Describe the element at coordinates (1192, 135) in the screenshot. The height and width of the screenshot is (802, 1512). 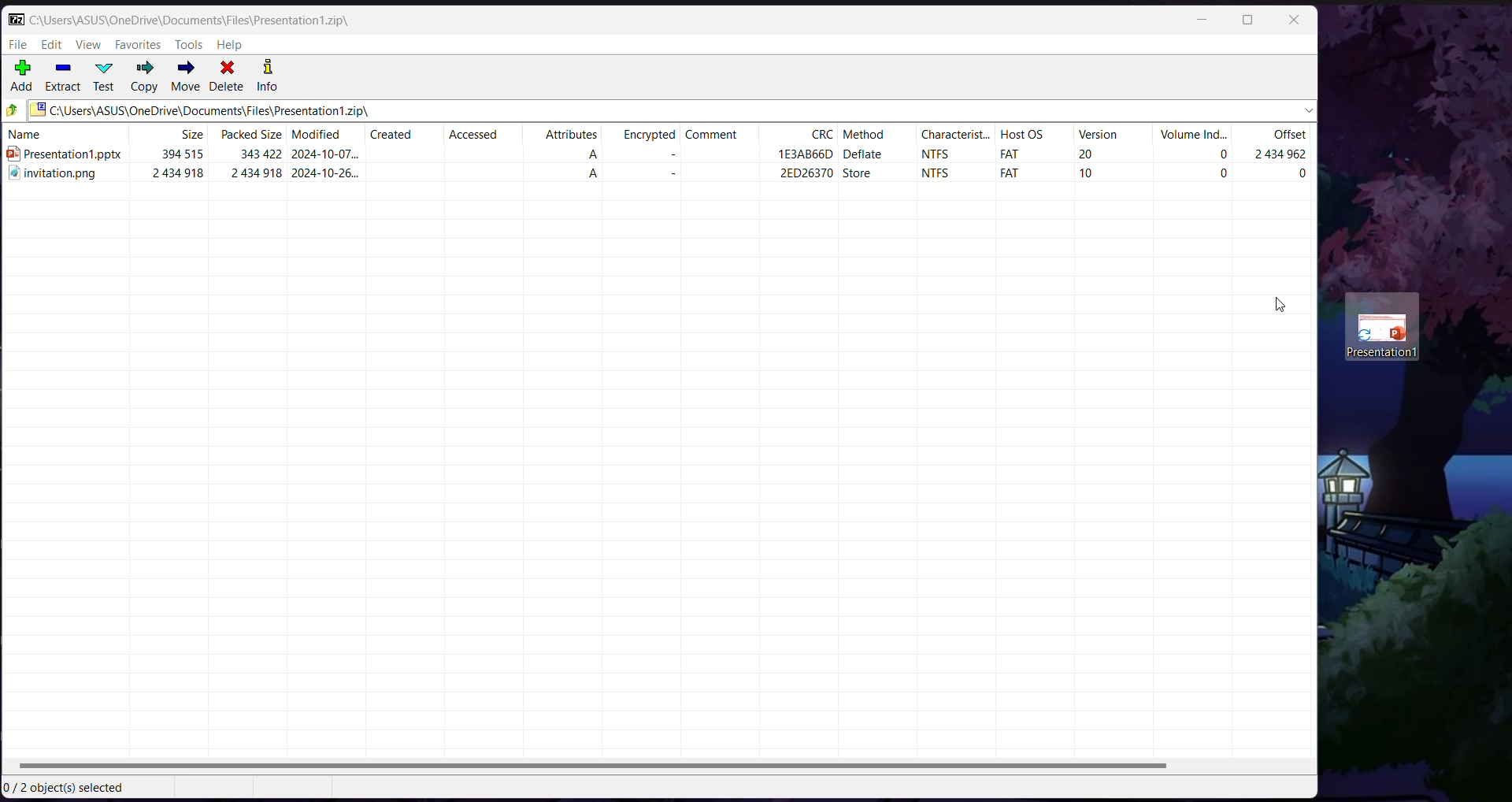
I see `Volume Ind...` at that location.